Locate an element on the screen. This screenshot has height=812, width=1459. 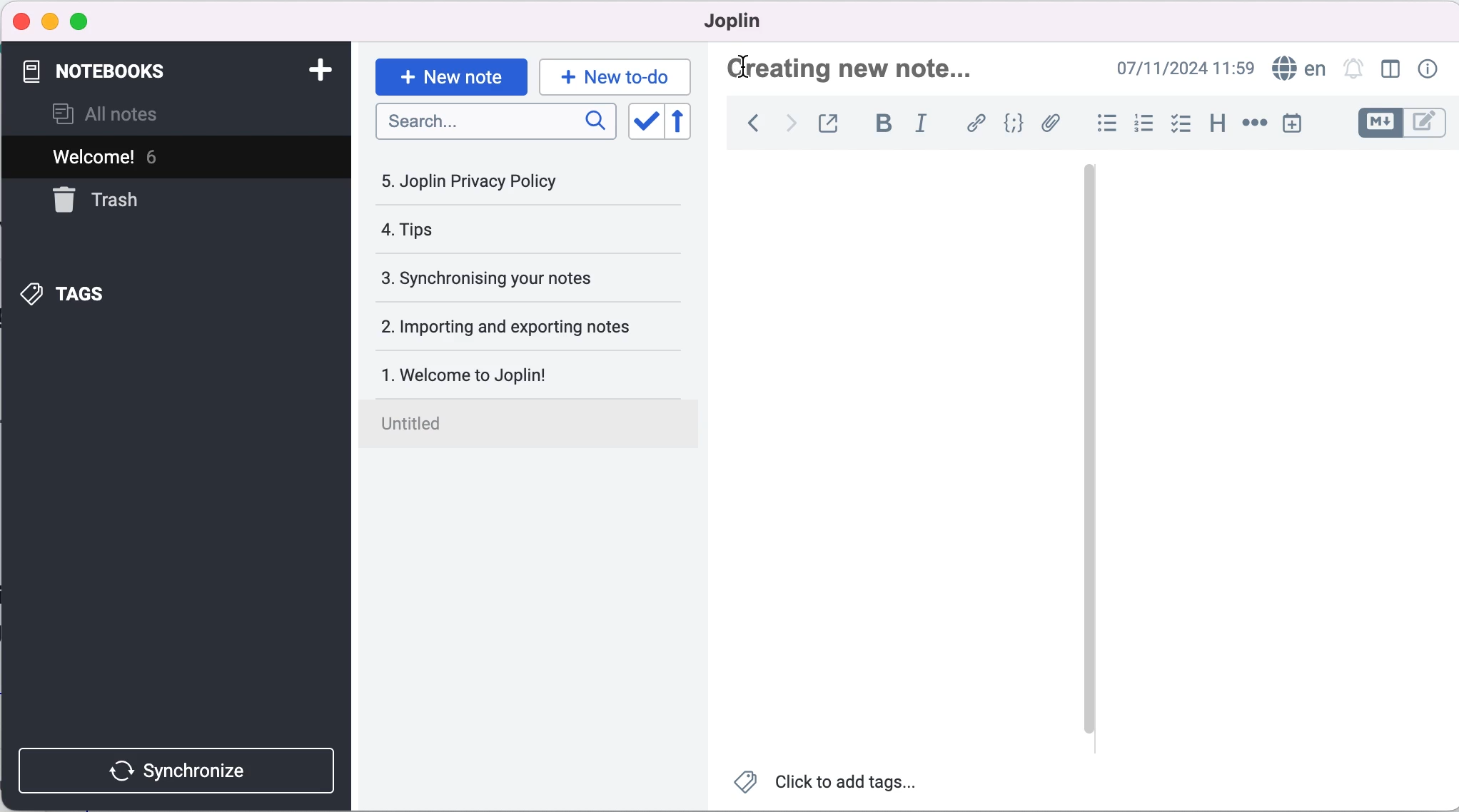
click to add tags is located at coordinates (835, 783).